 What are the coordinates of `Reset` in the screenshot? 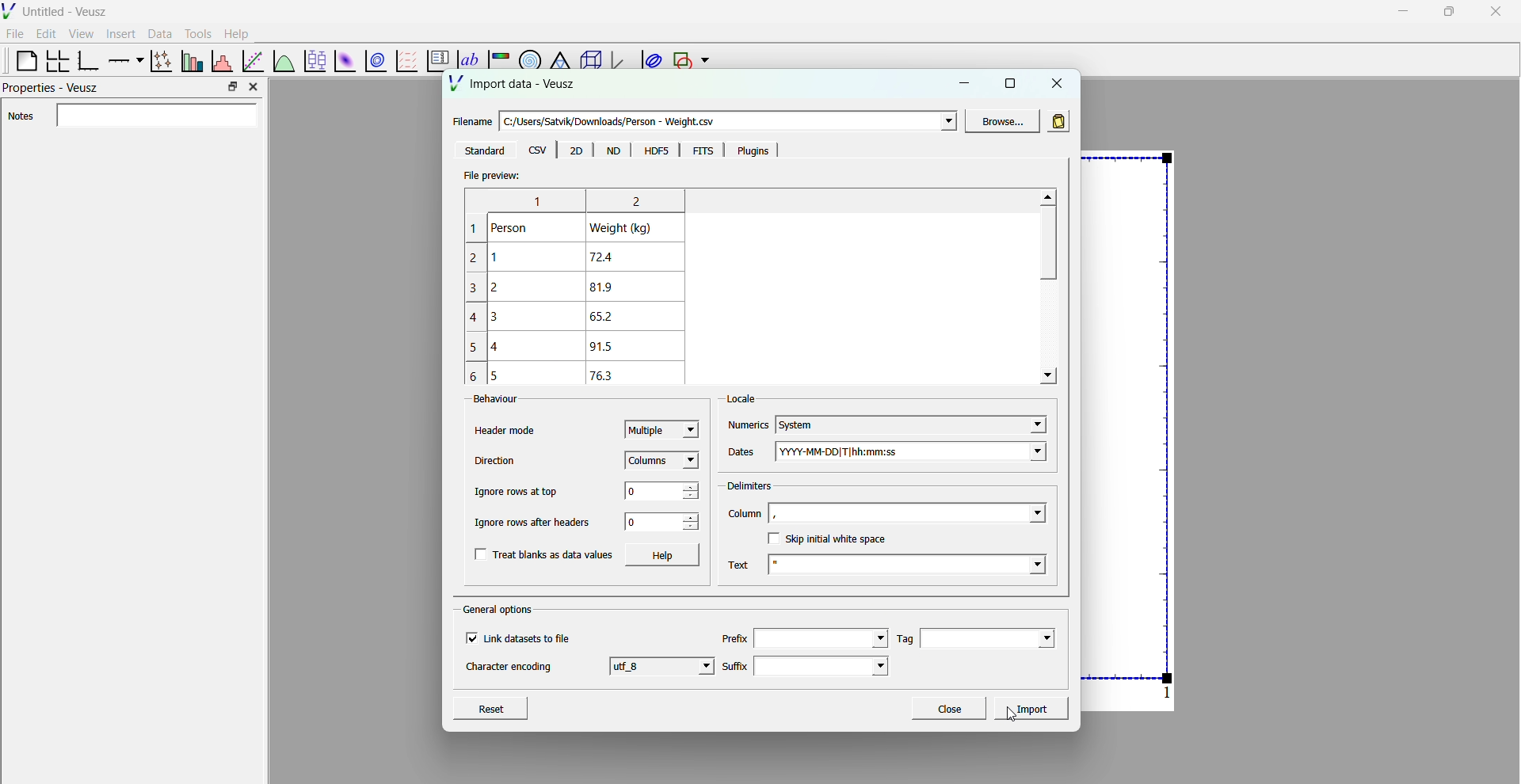 It's located at (507, 706).